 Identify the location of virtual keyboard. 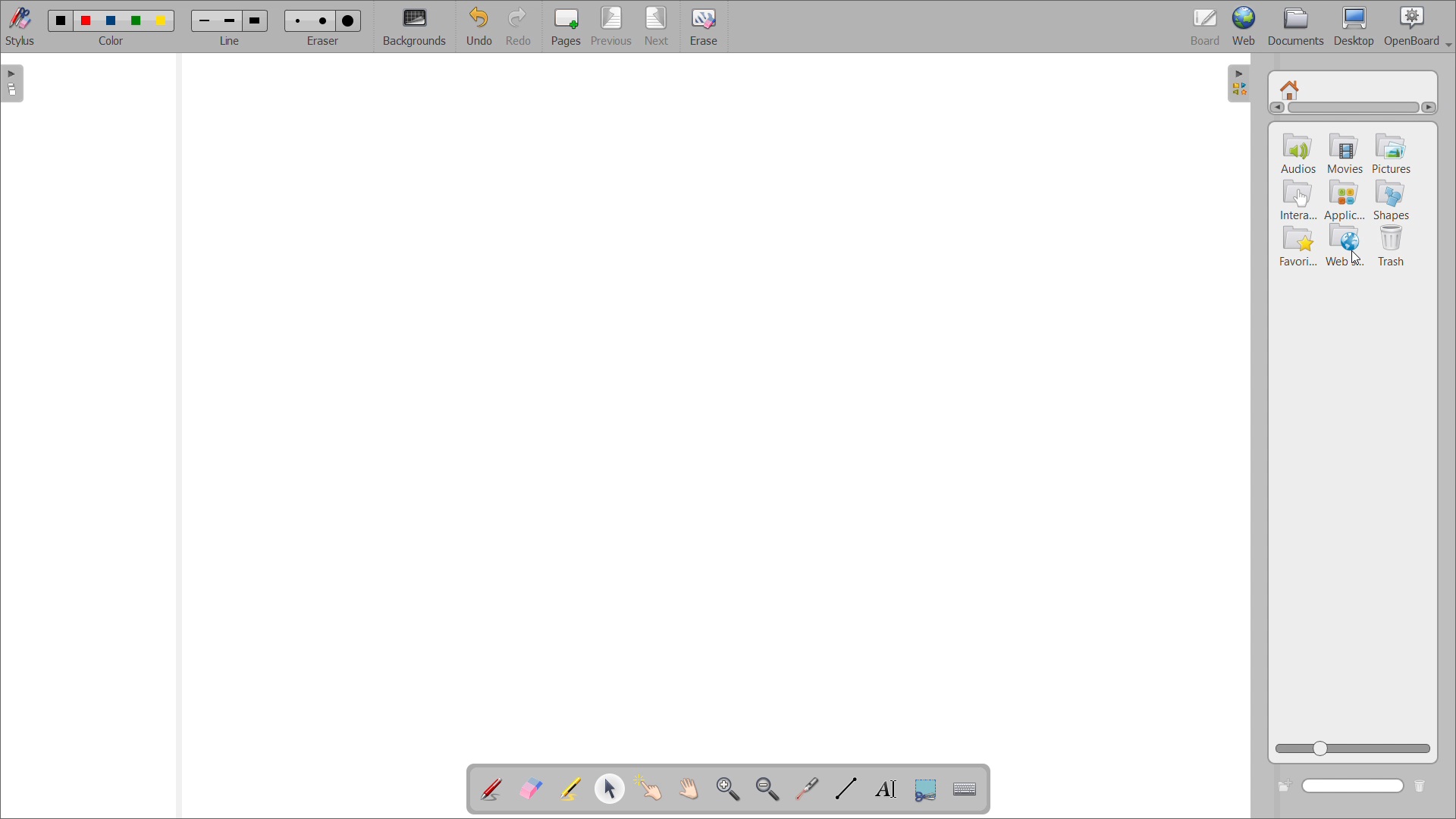
(965, 789).